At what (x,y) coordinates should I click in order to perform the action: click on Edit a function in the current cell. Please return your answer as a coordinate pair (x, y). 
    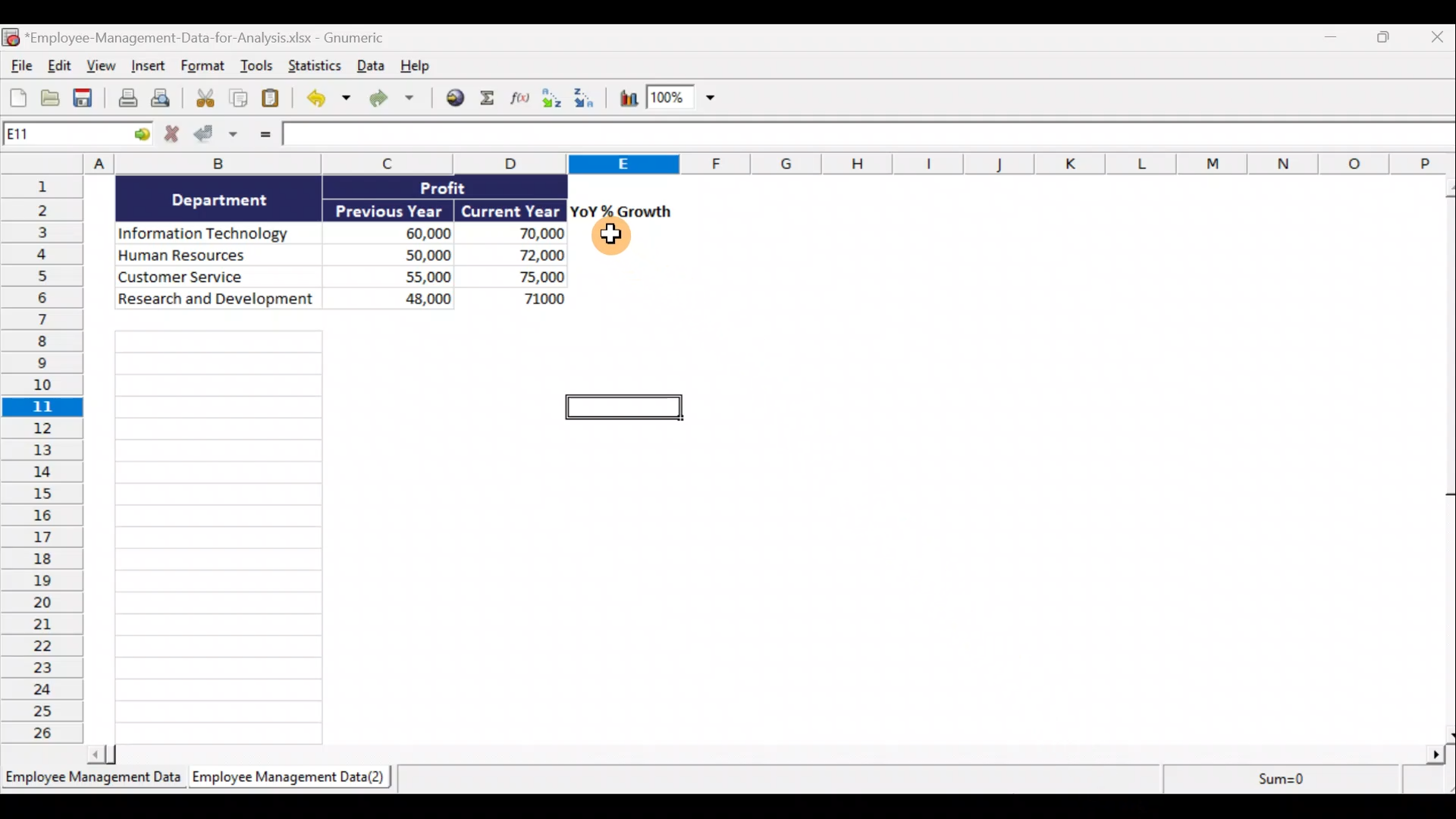
    Looking at the image, I should click on (524, 102).